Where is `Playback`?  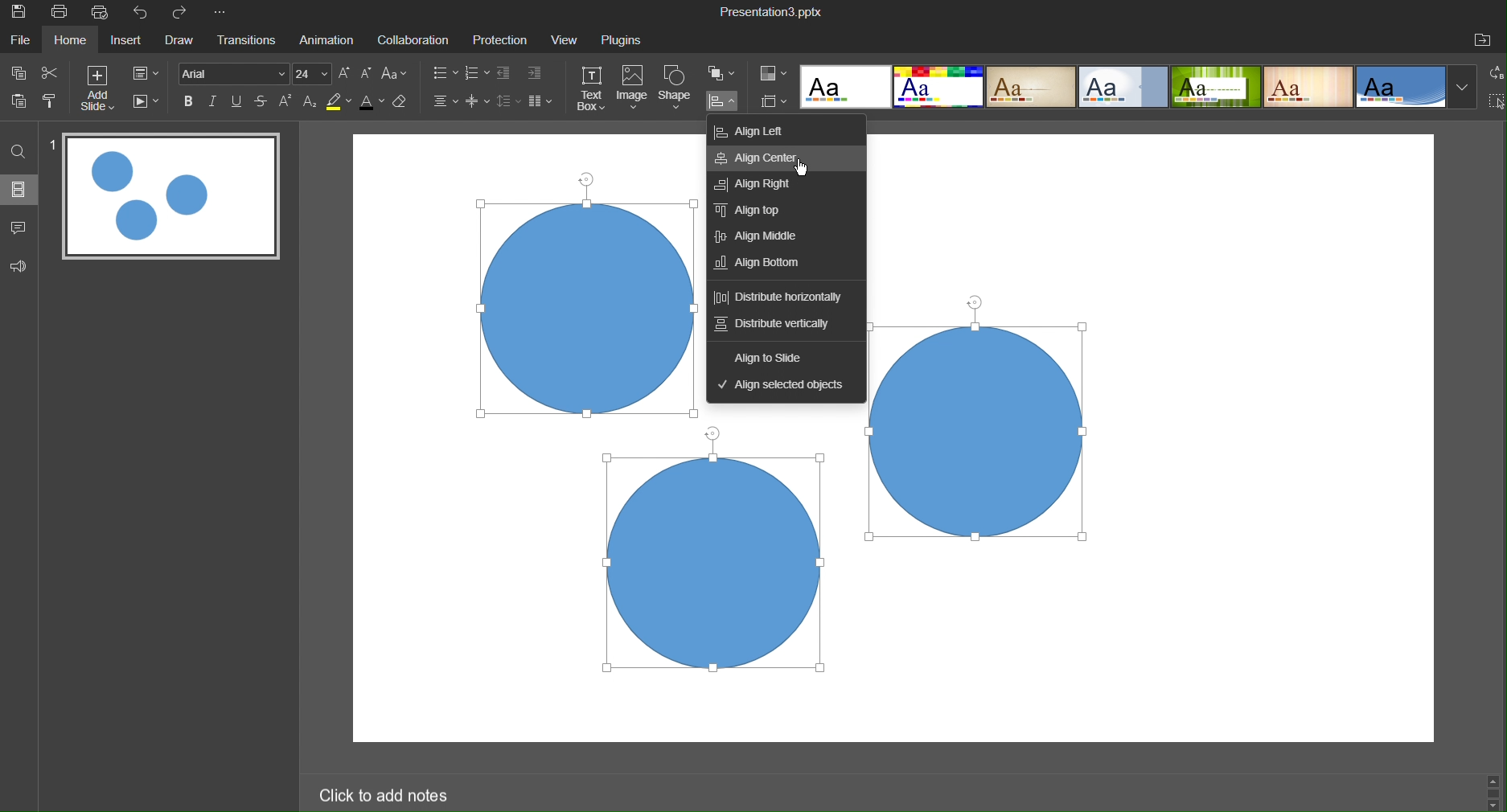
Playback is located at coordinates (148, 104).